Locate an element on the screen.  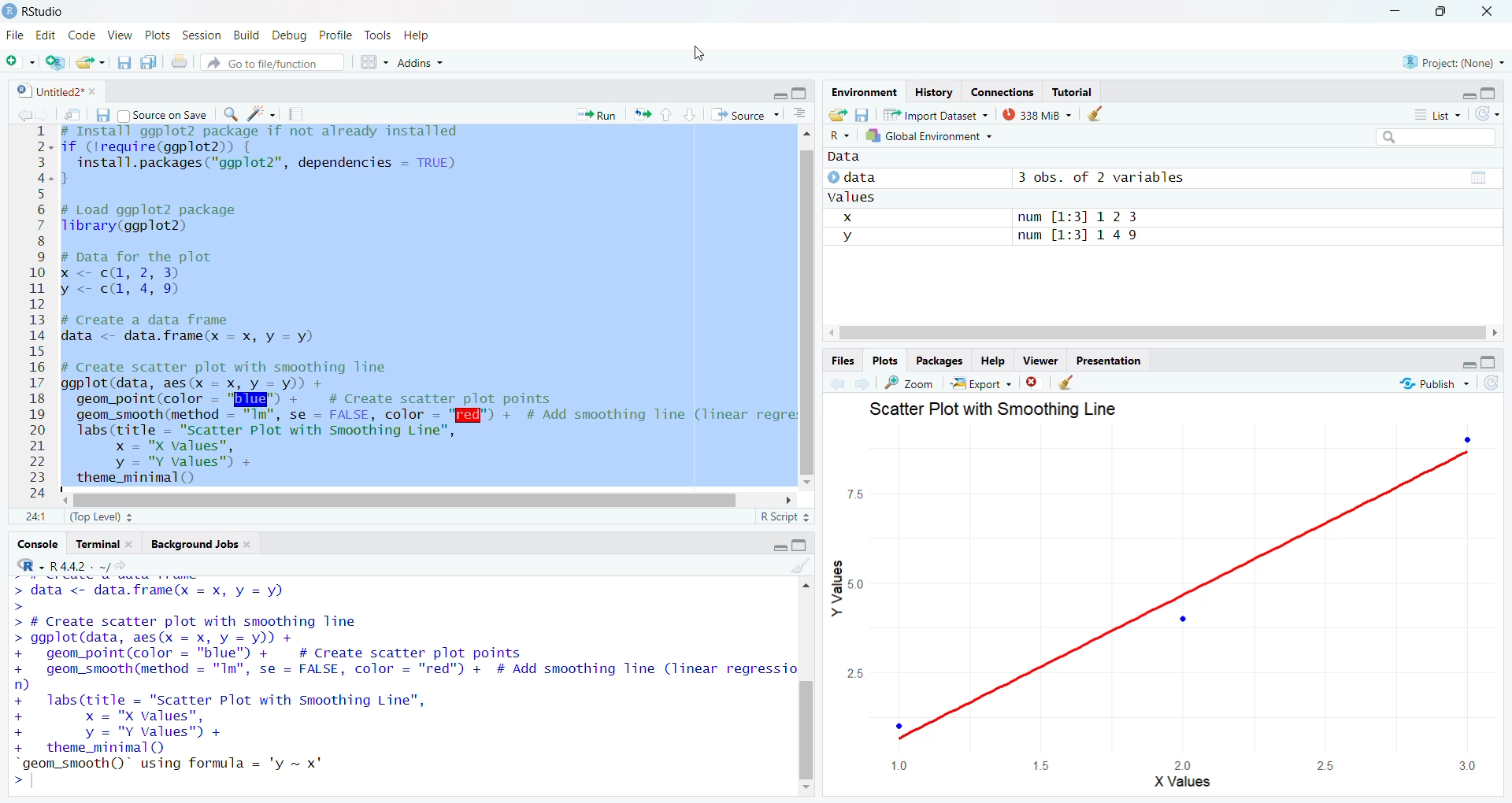
Source  is located at coordinates (744, 115).